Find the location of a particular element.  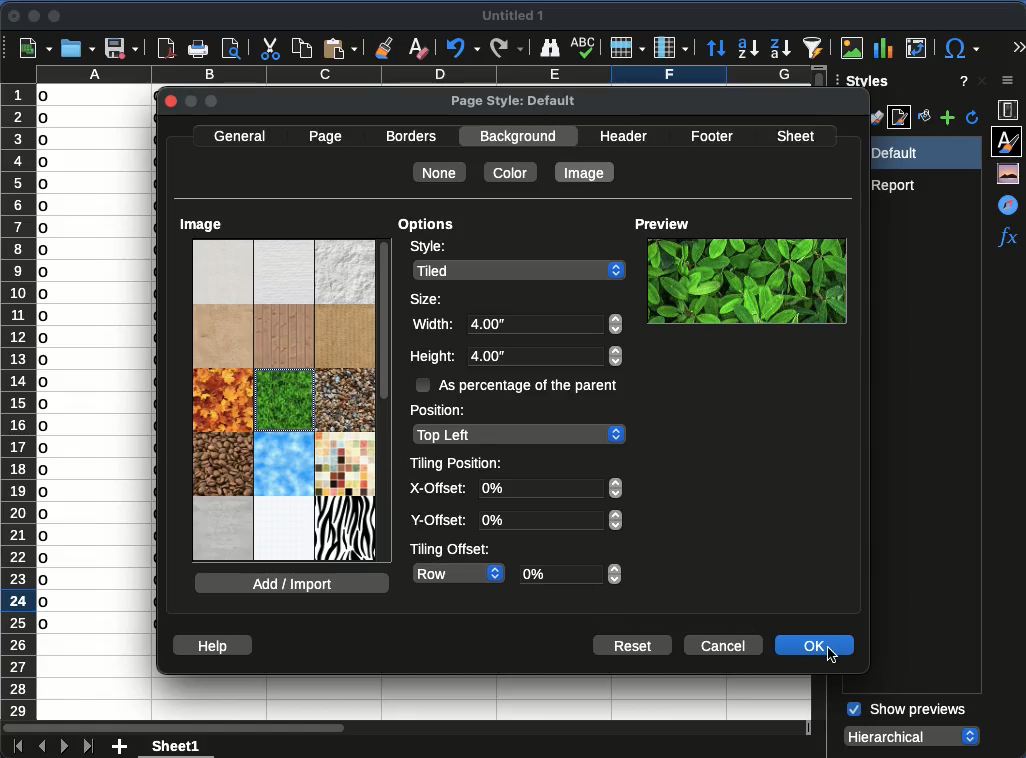

preview is located at coordinates (668, 218).